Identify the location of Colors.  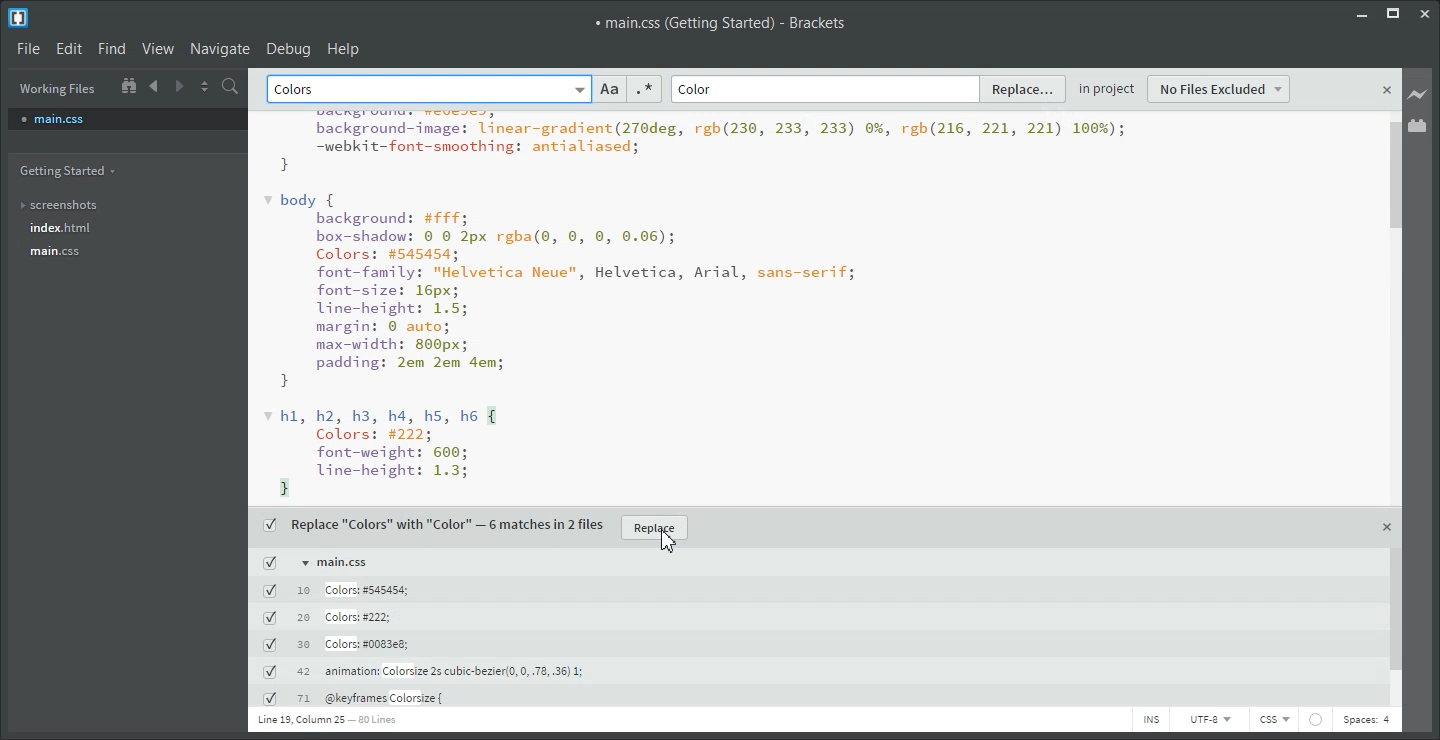
(298, 90).